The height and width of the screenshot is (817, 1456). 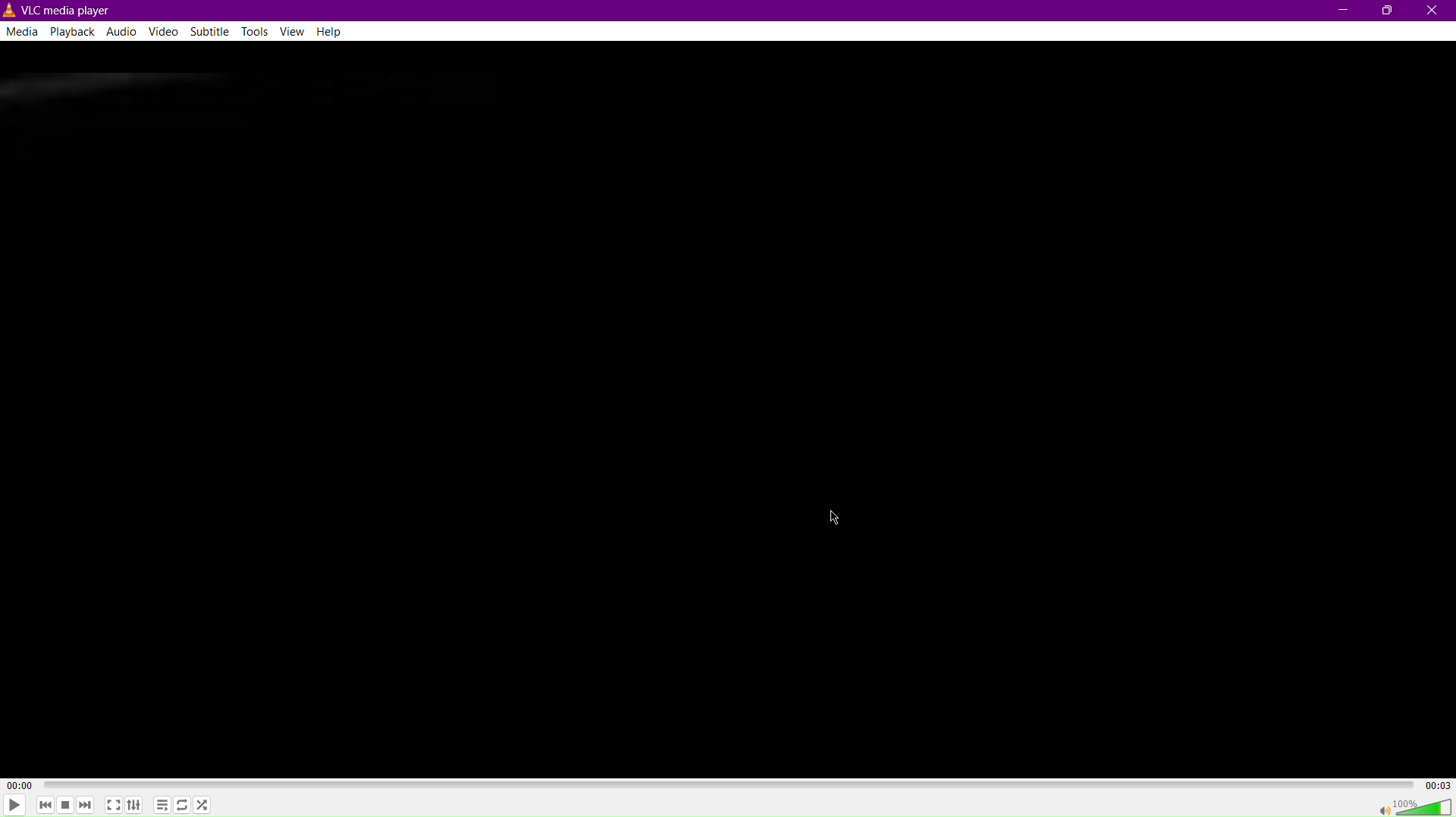 I want to click on Extended Settings, so click(x=139, y=804).